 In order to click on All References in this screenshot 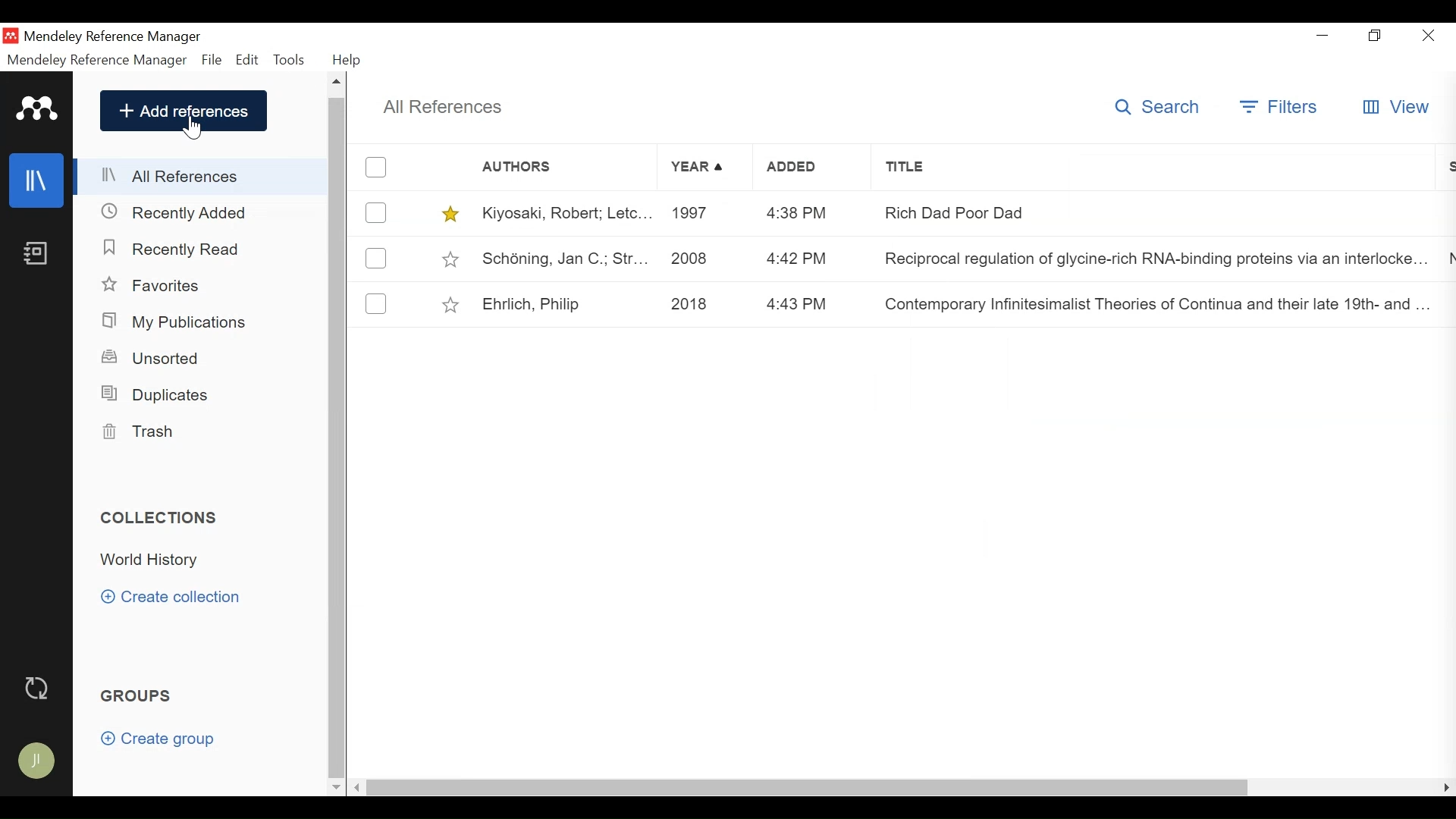, I will do `click(199, 177)`.